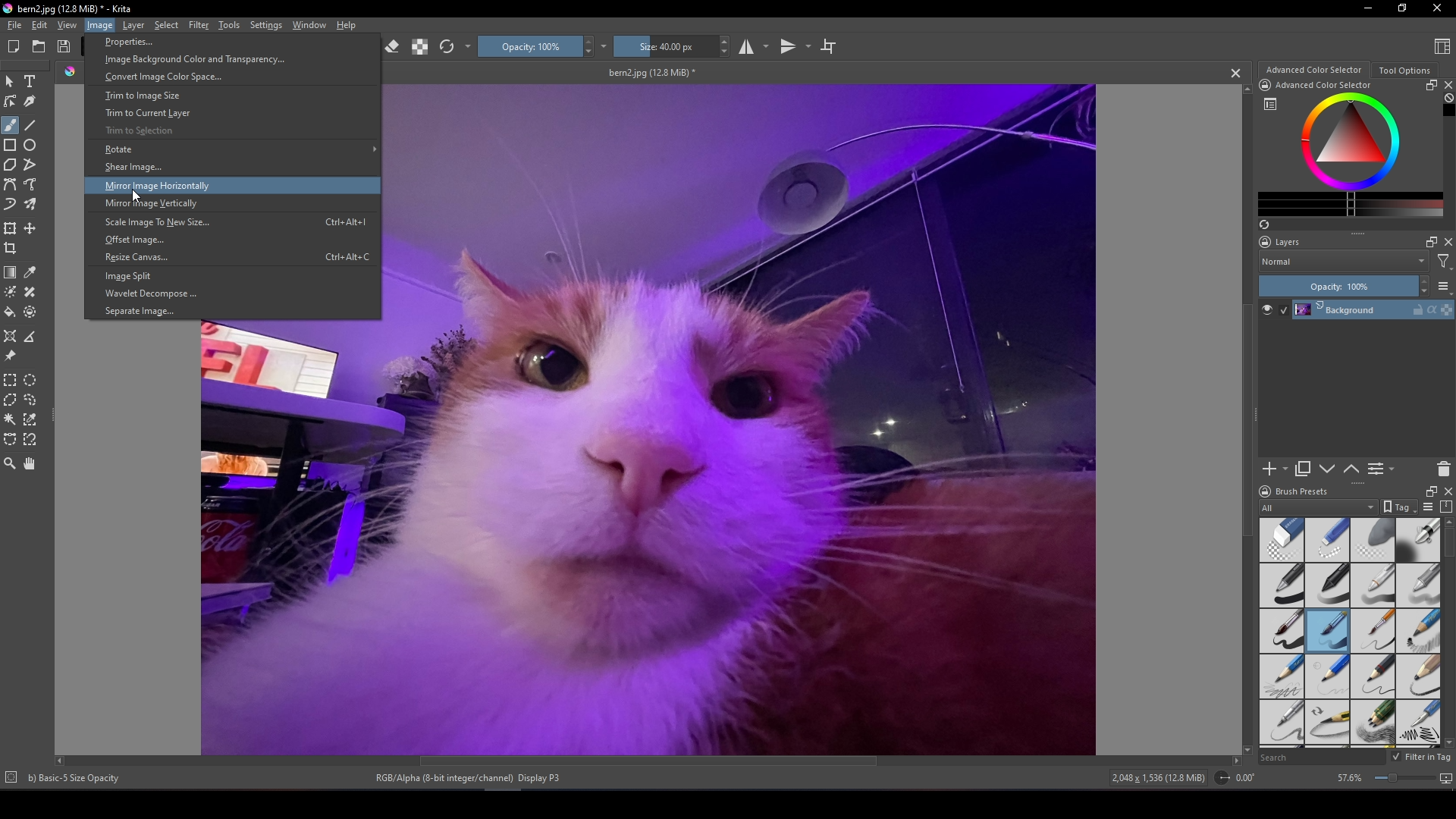 This screenshot has width=1456, height=819. What do you see at coordinates (234, 94) in the screenshot?
I see `Trim to image size` at bounding box center [234, 94].